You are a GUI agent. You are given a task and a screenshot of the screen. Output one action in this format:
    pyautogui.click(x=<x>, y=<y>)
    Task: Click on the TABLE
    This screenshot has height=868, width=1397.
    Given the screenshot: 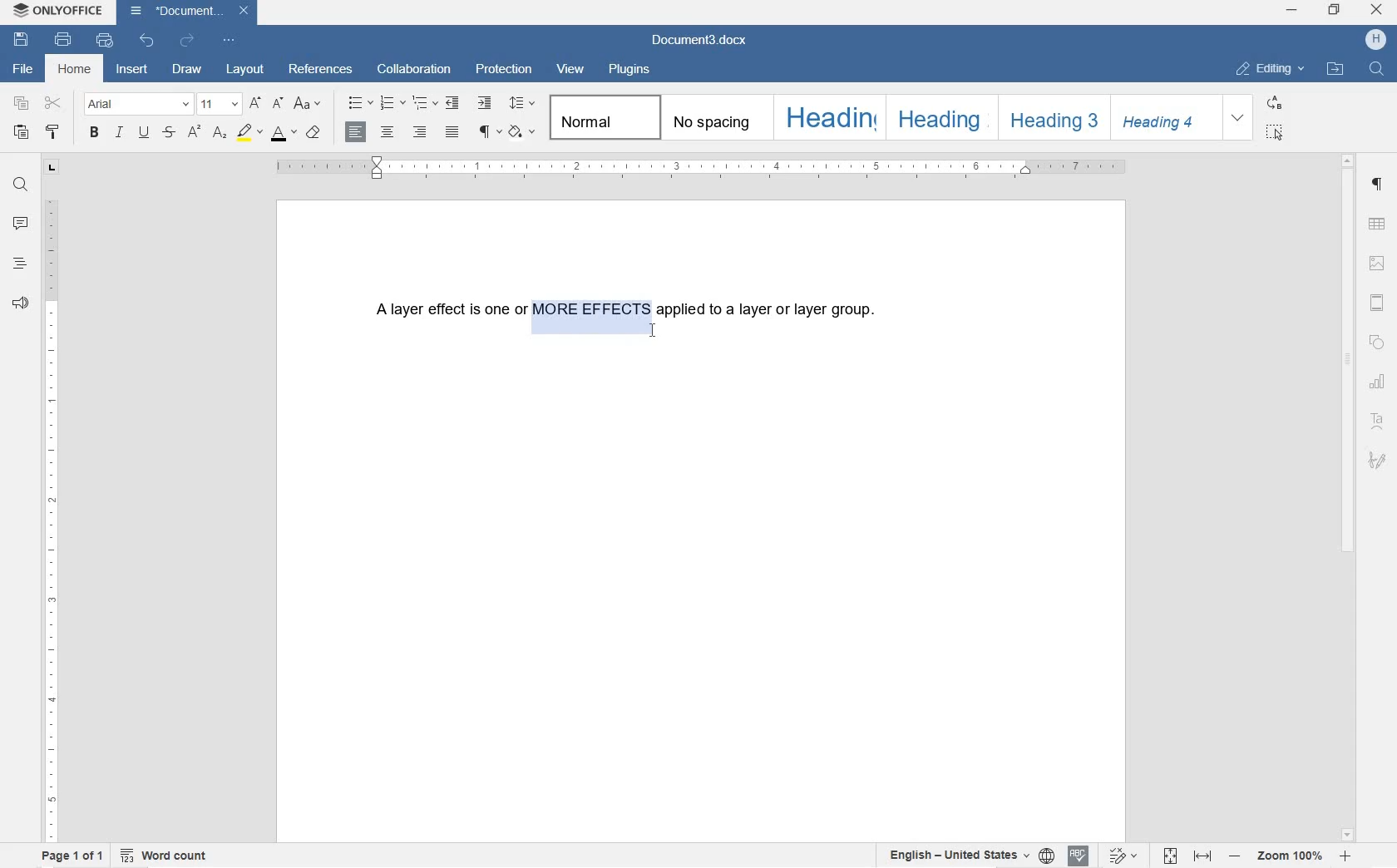 What is the action you would take?
    pyautogui.click(x=1378, y=225)
    